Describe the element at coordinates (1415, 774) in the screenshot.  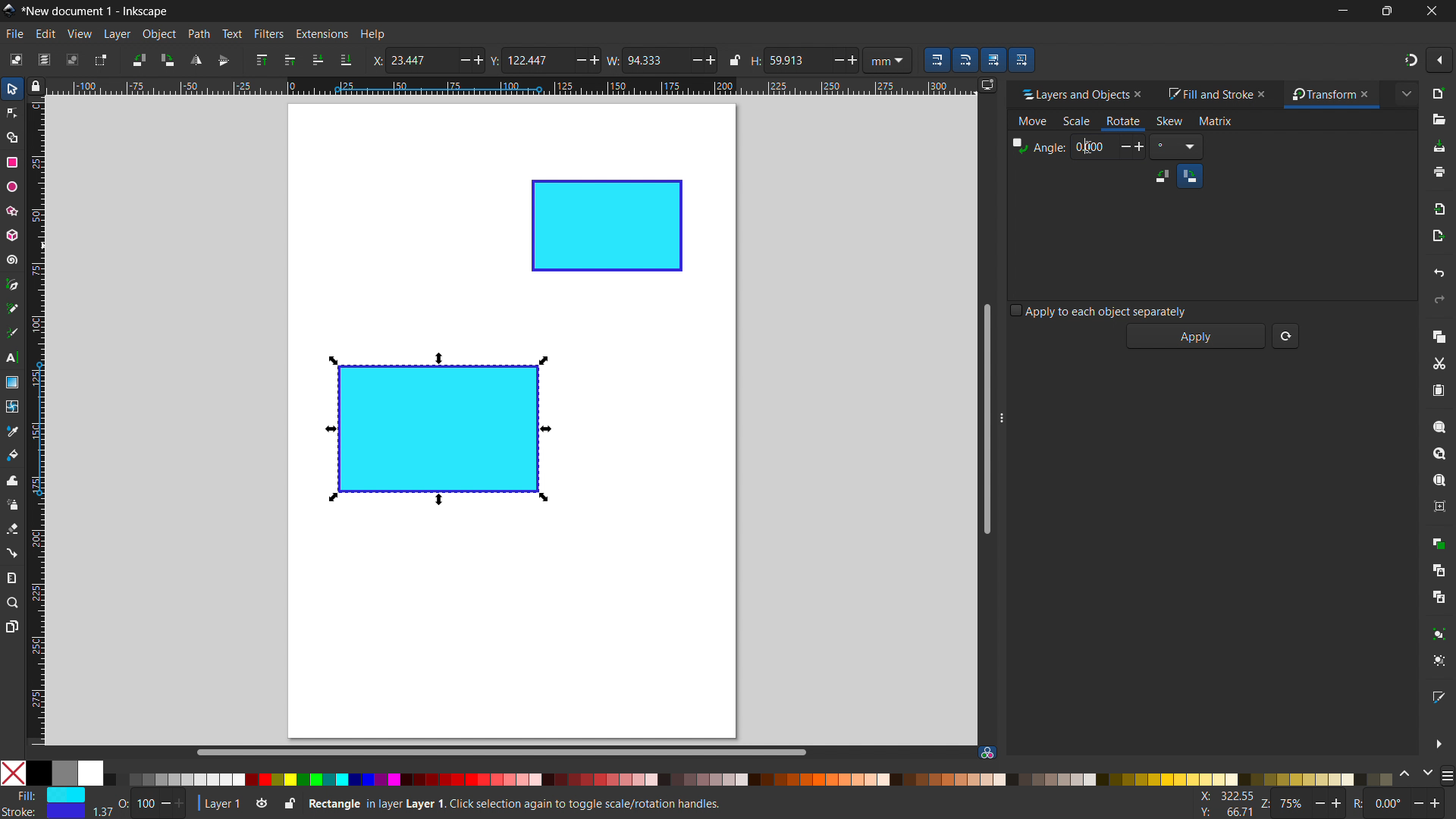
I see `change color schemes` at that location.